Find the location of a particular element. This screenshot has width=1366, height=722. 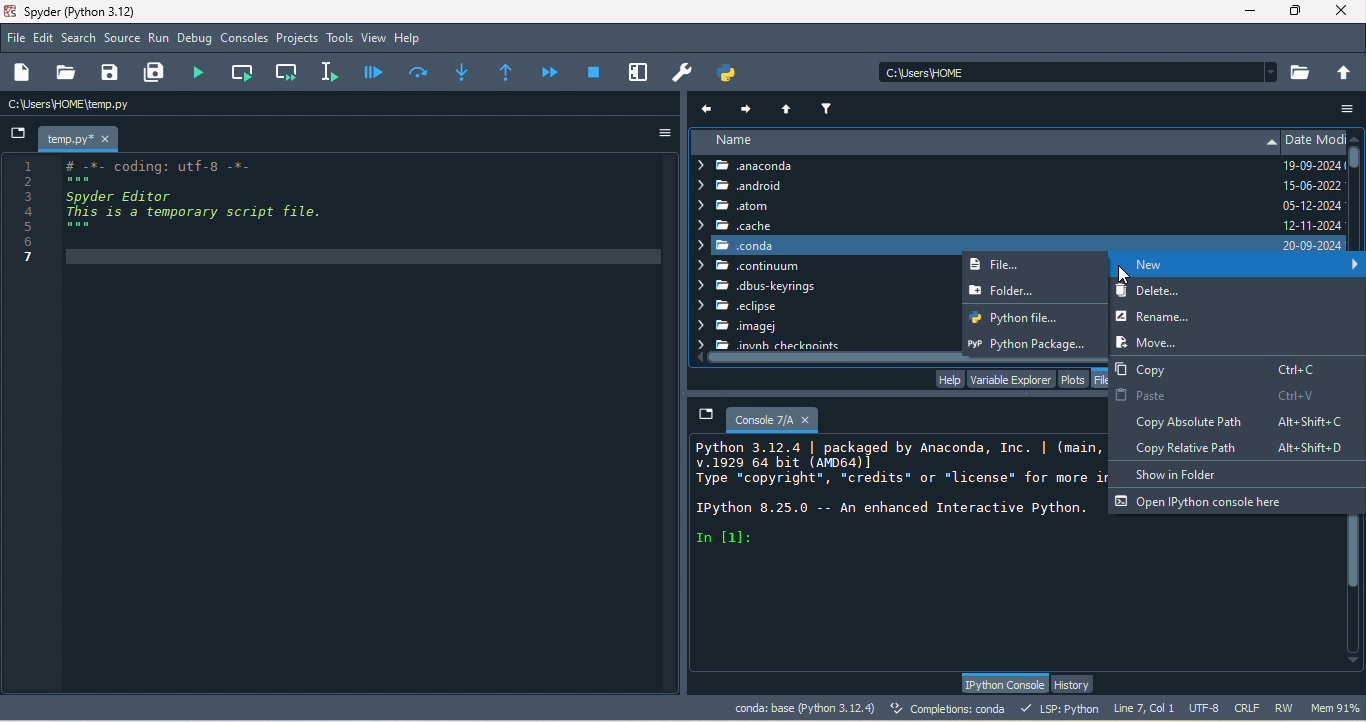

debug file is located at coordinates (374, 71).